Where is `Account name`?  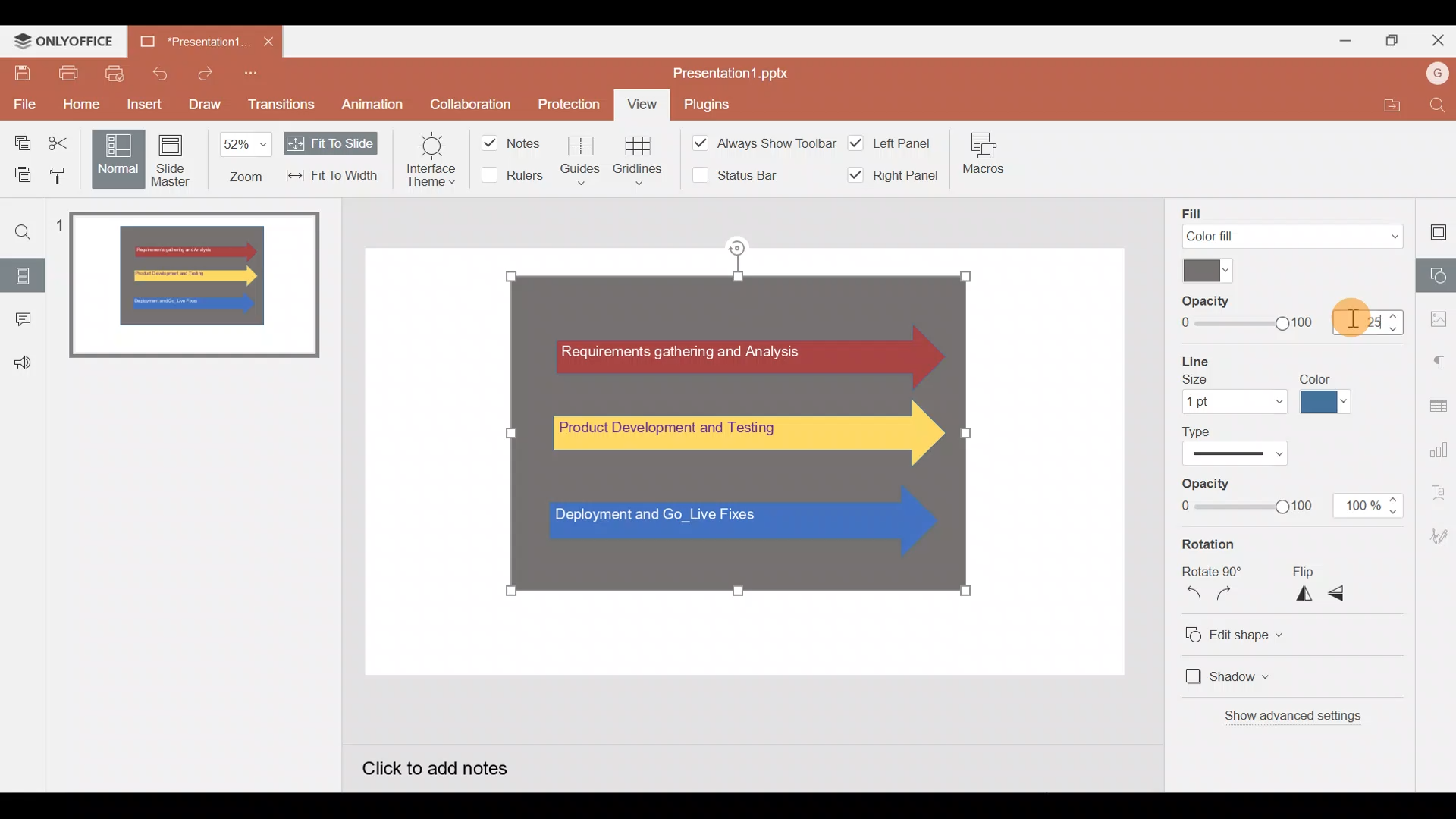
Account name is located at coordinates (1433, 75).